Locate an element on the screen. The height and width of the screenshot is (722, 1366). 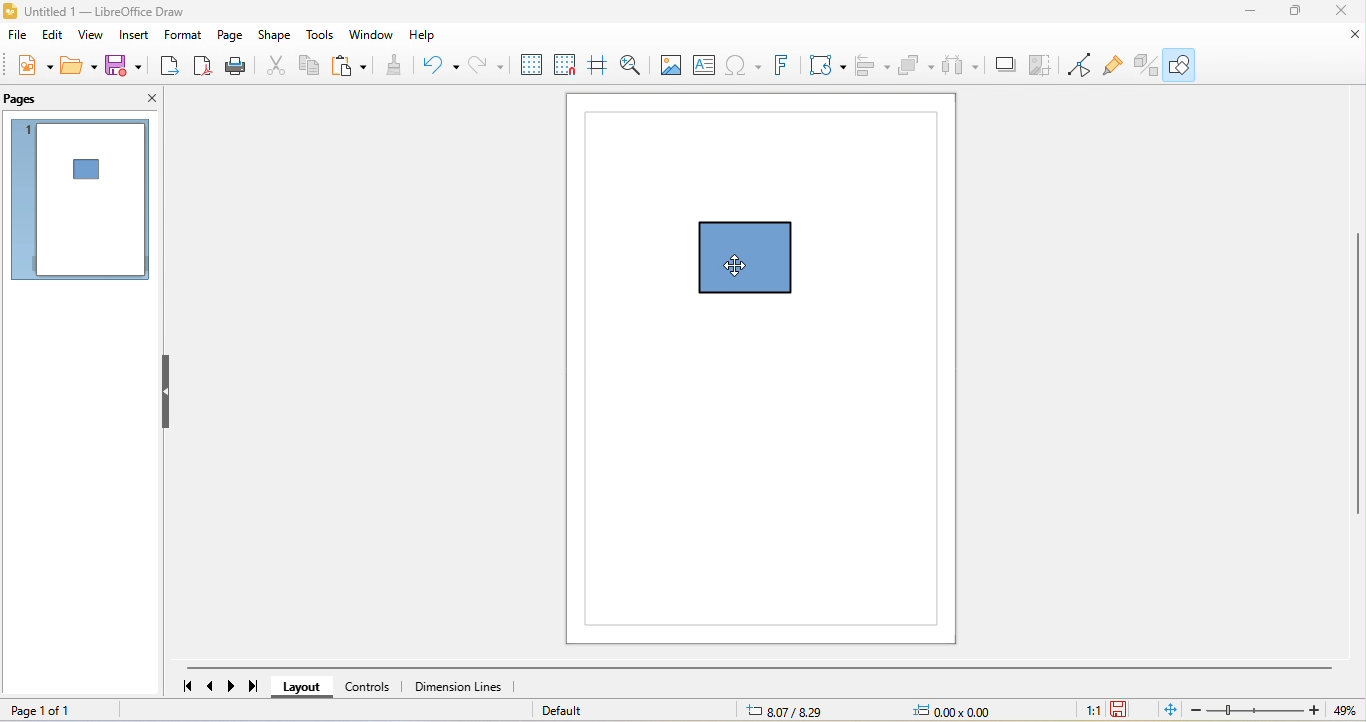
layout is located at coordinates (307, 686).